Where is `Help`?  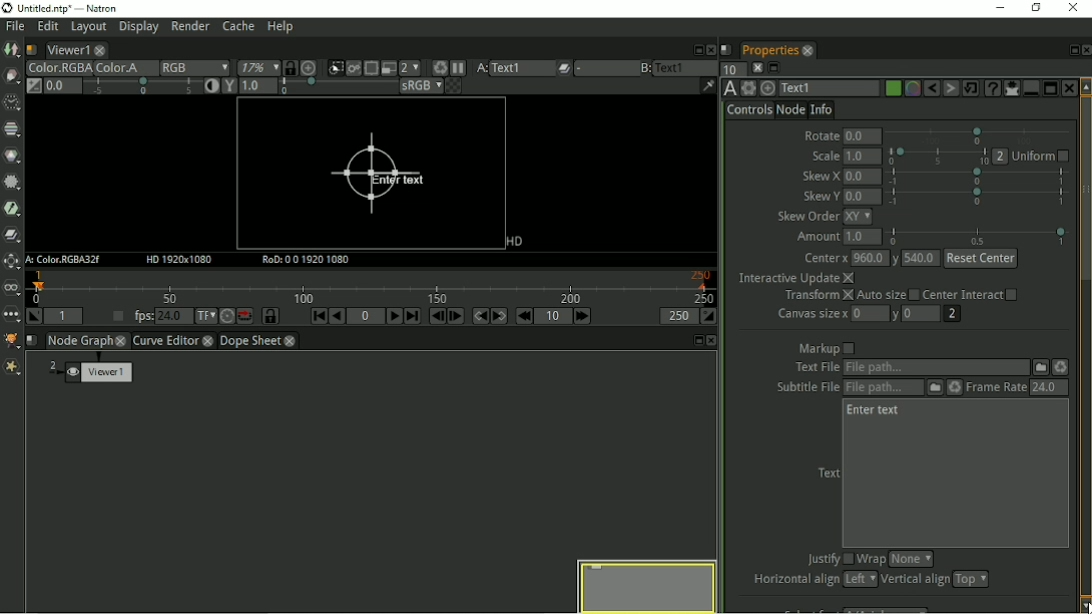 Help is located at coordinates (282, 27).